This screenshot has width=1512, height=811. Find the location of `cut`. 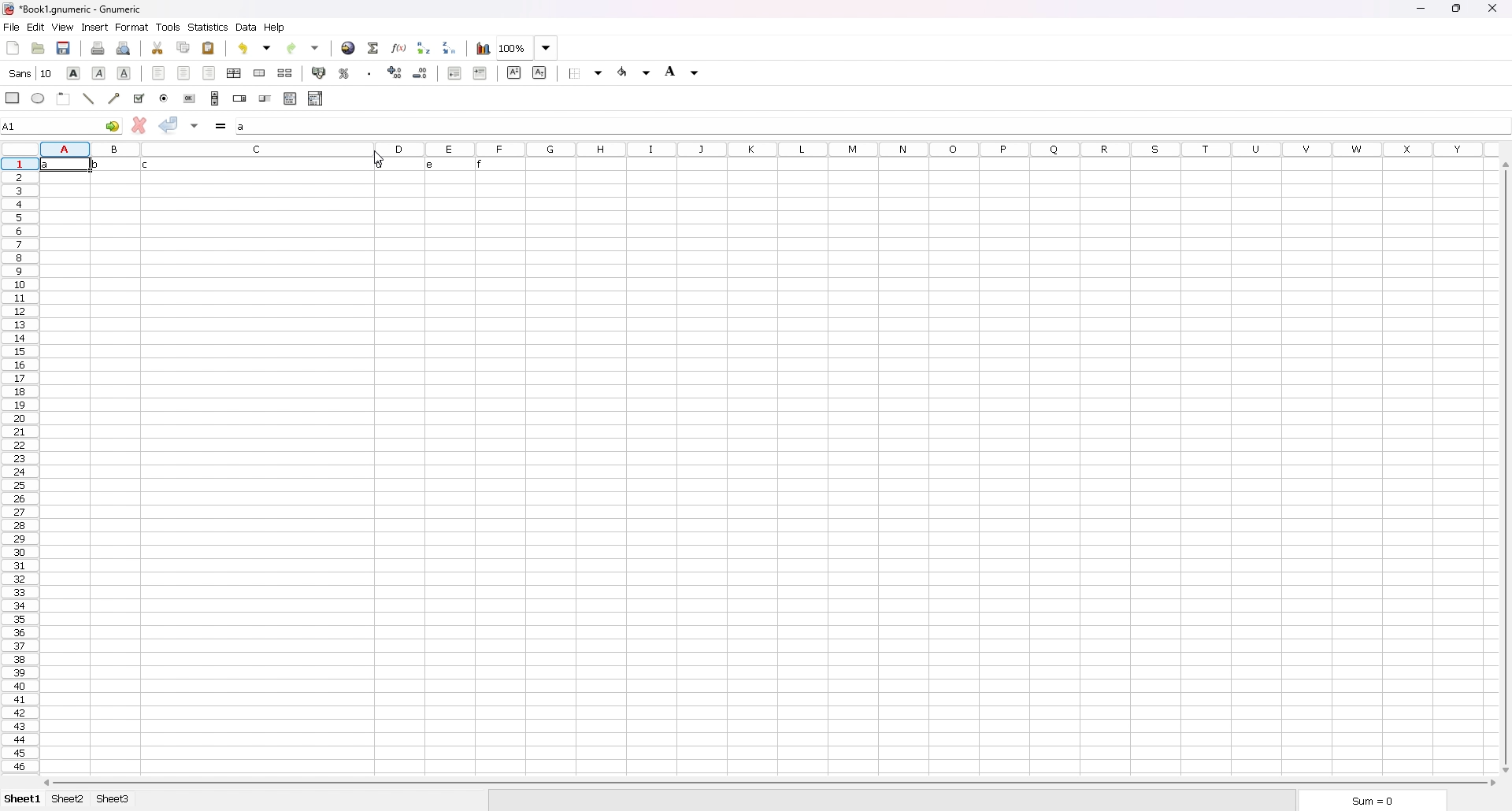

cut is located at coordinates (158, 47).